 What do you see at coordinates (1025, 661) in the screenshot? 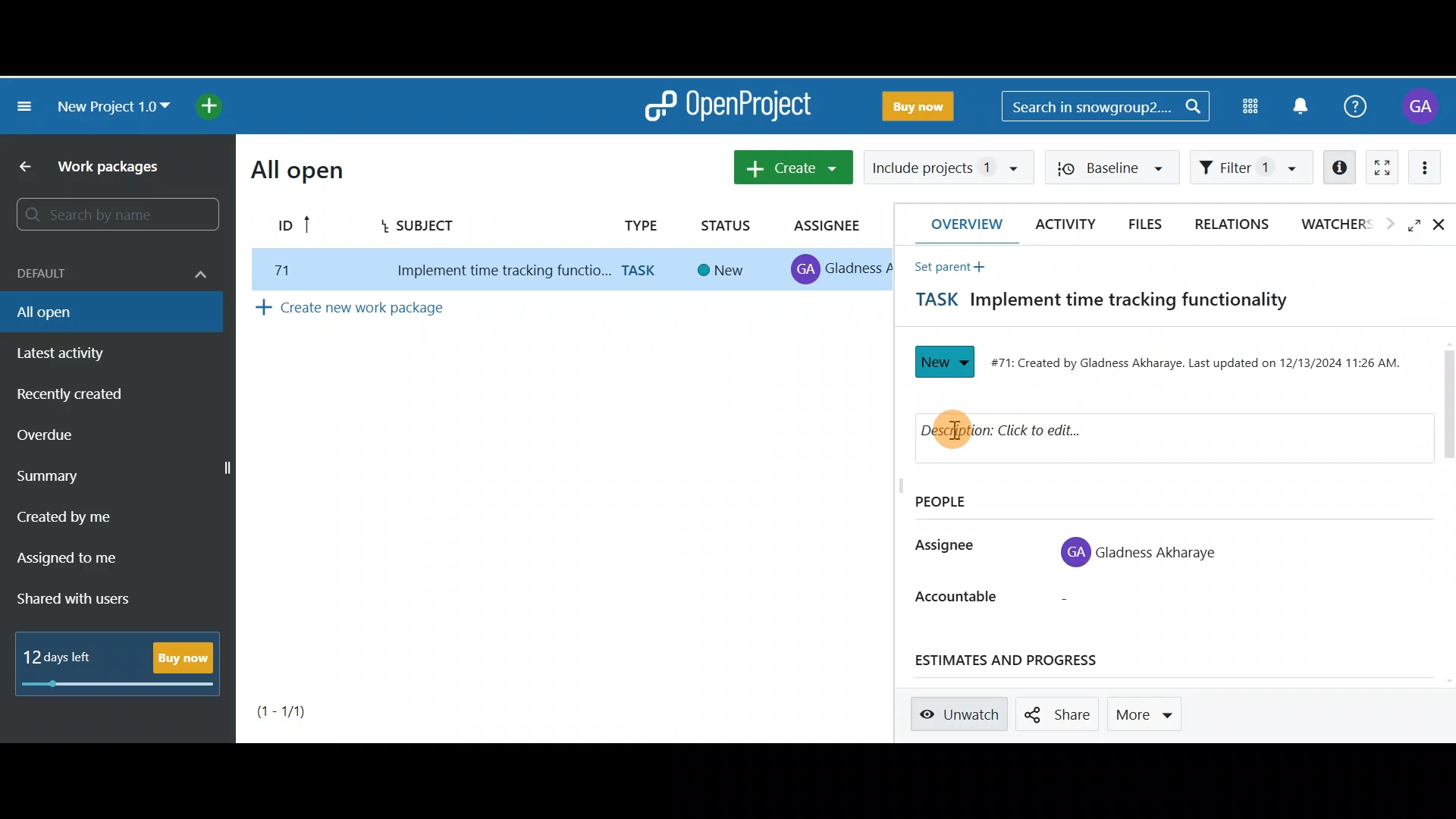
I see `Estimates and progress` at bounding box center [1025, 661].